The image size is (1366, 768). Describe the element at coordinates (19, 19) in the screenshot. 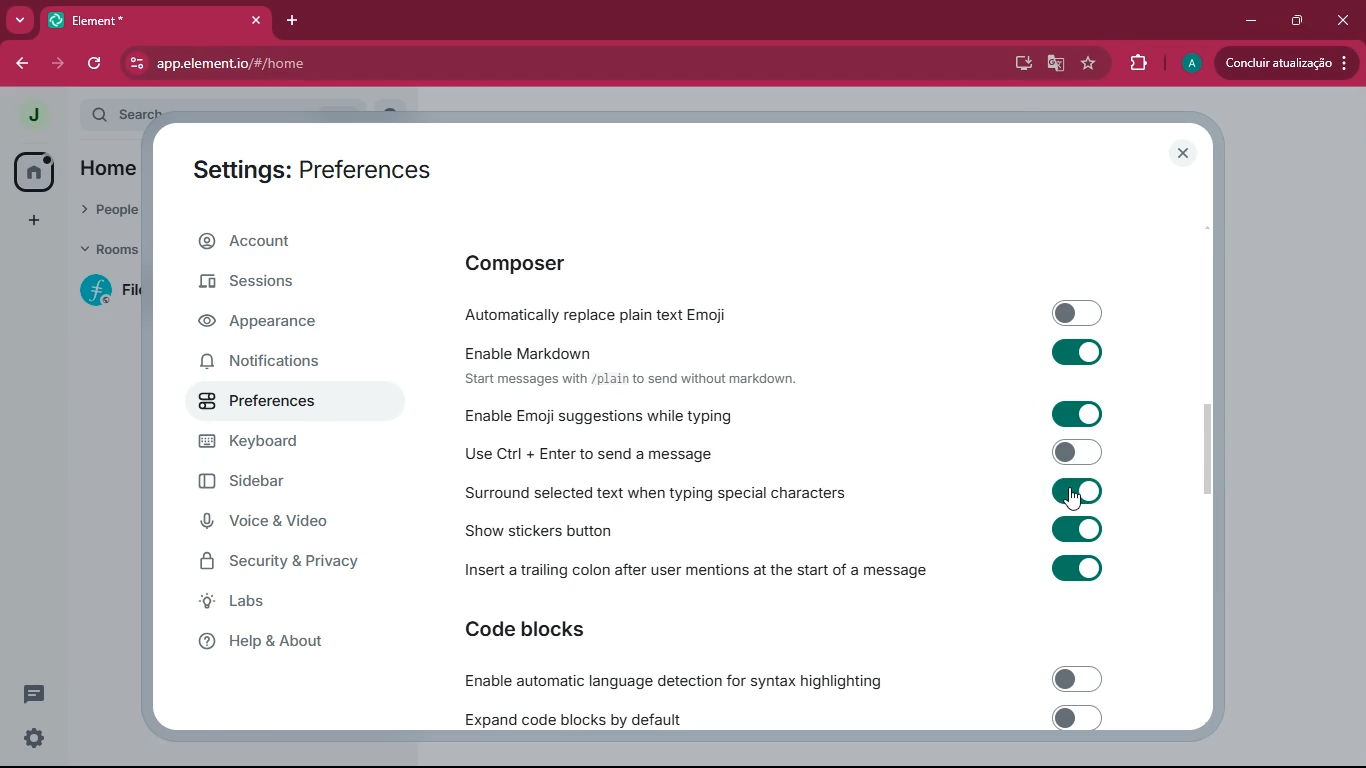

I see `more` at that location.